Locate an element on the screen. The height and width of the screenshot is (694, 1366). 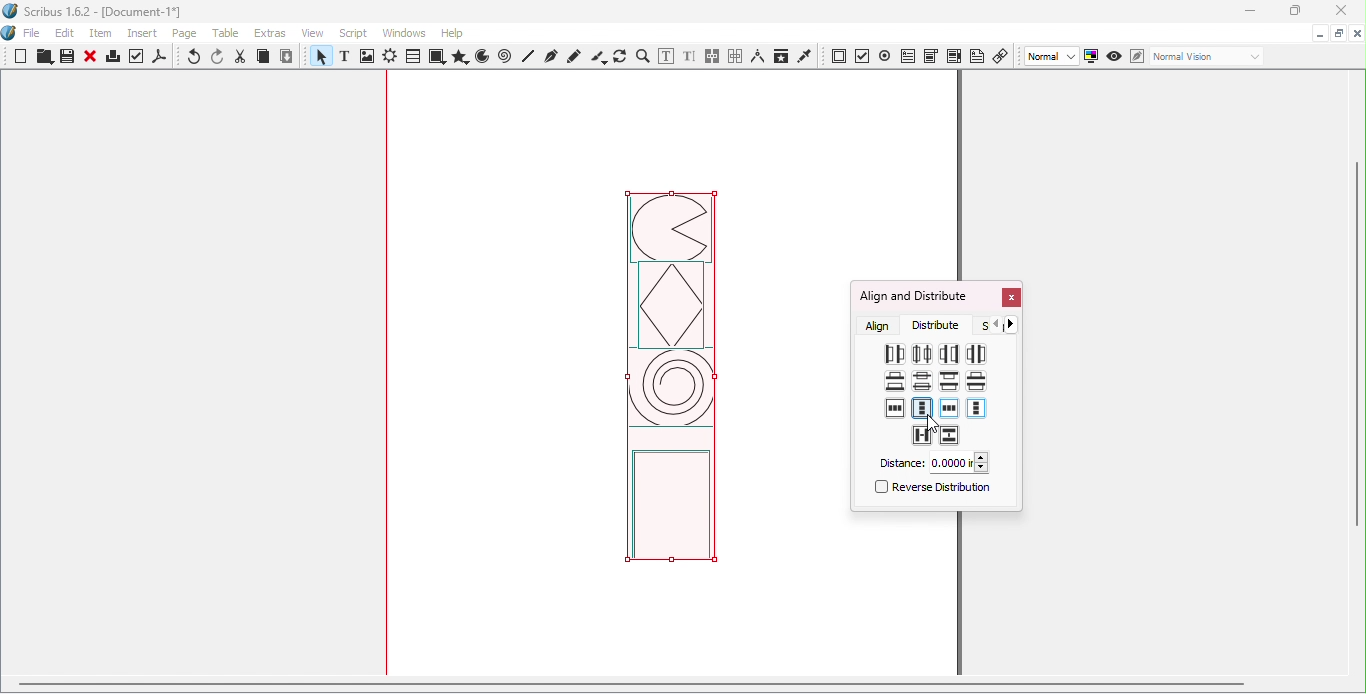
cursor is located at coordinates (934, 423).